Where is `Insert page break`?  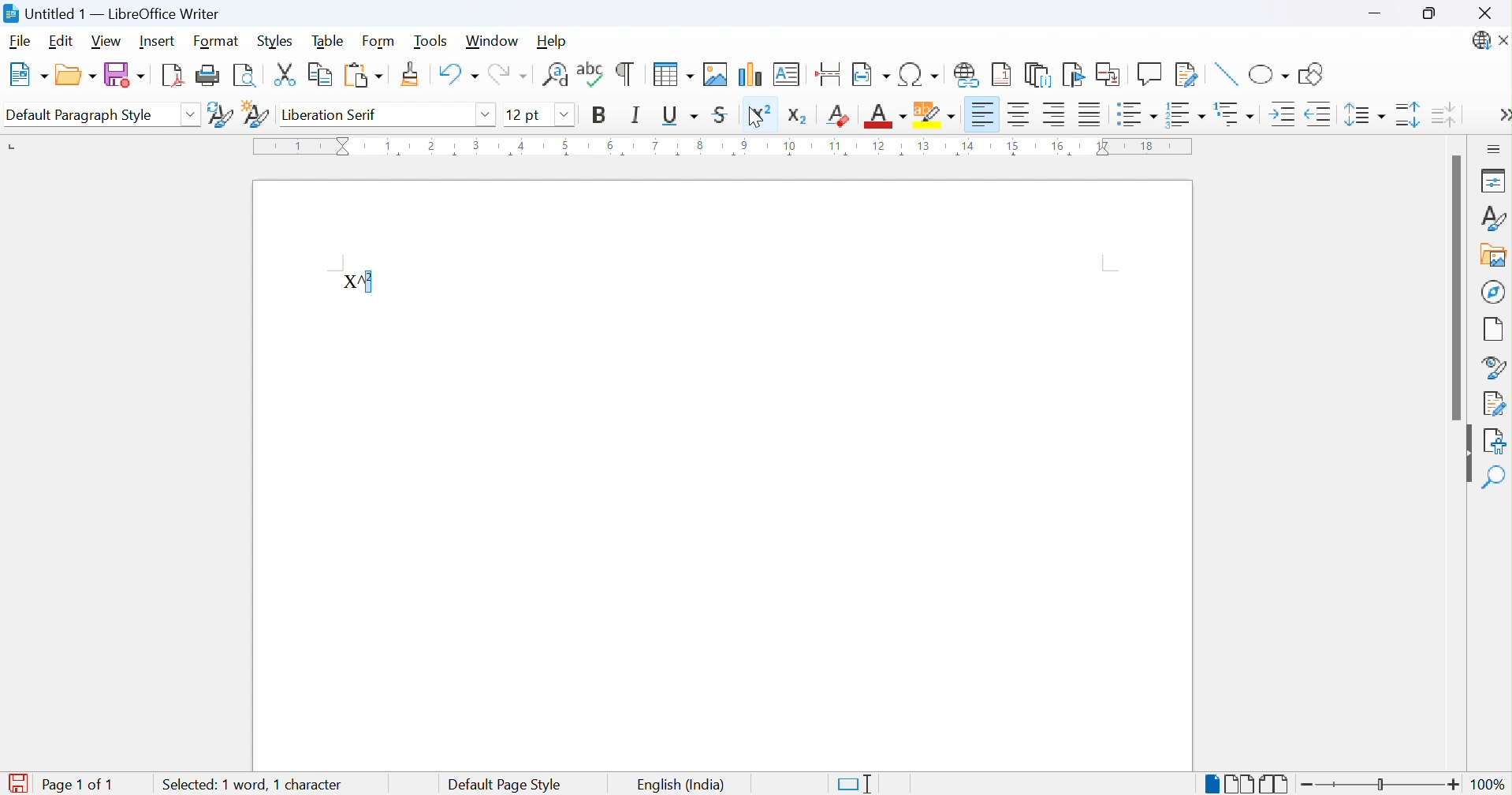 Insert page break is located at coordinates (831, 70).